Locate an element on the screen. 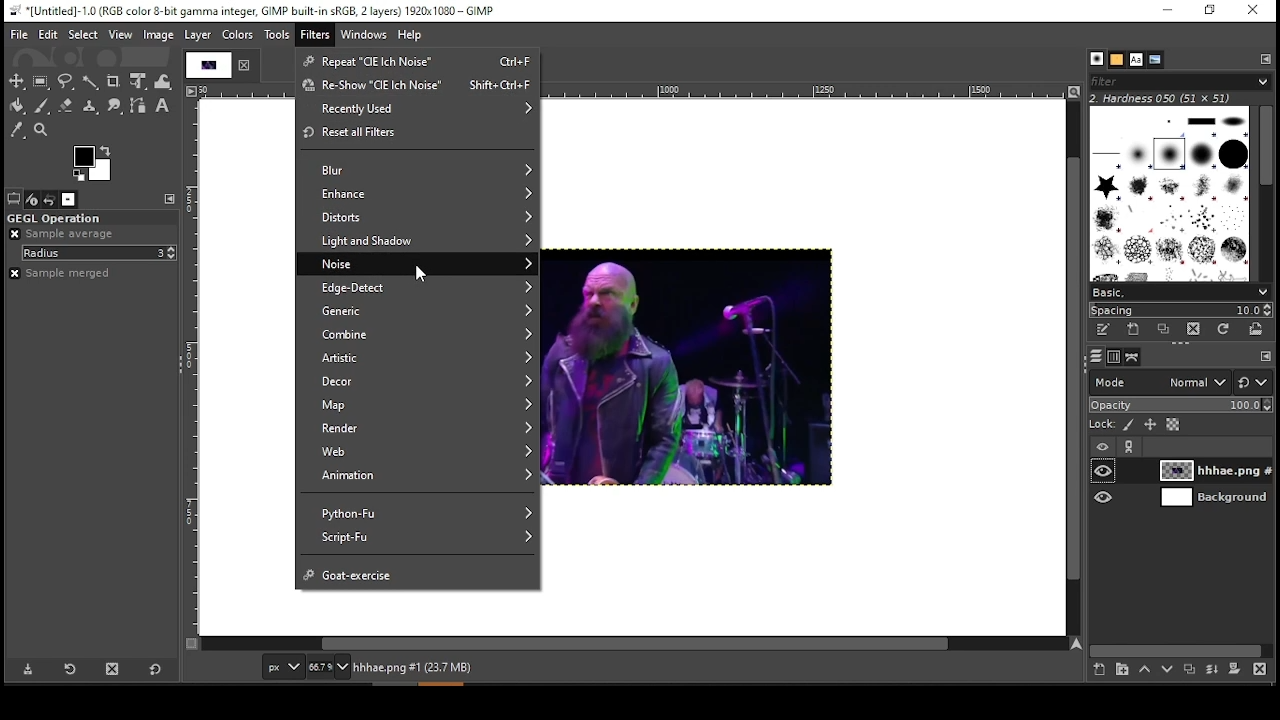 Image resolution: width=1280 pixels, height=720 pixels. reset all filters is located at coordinates (415, 133).